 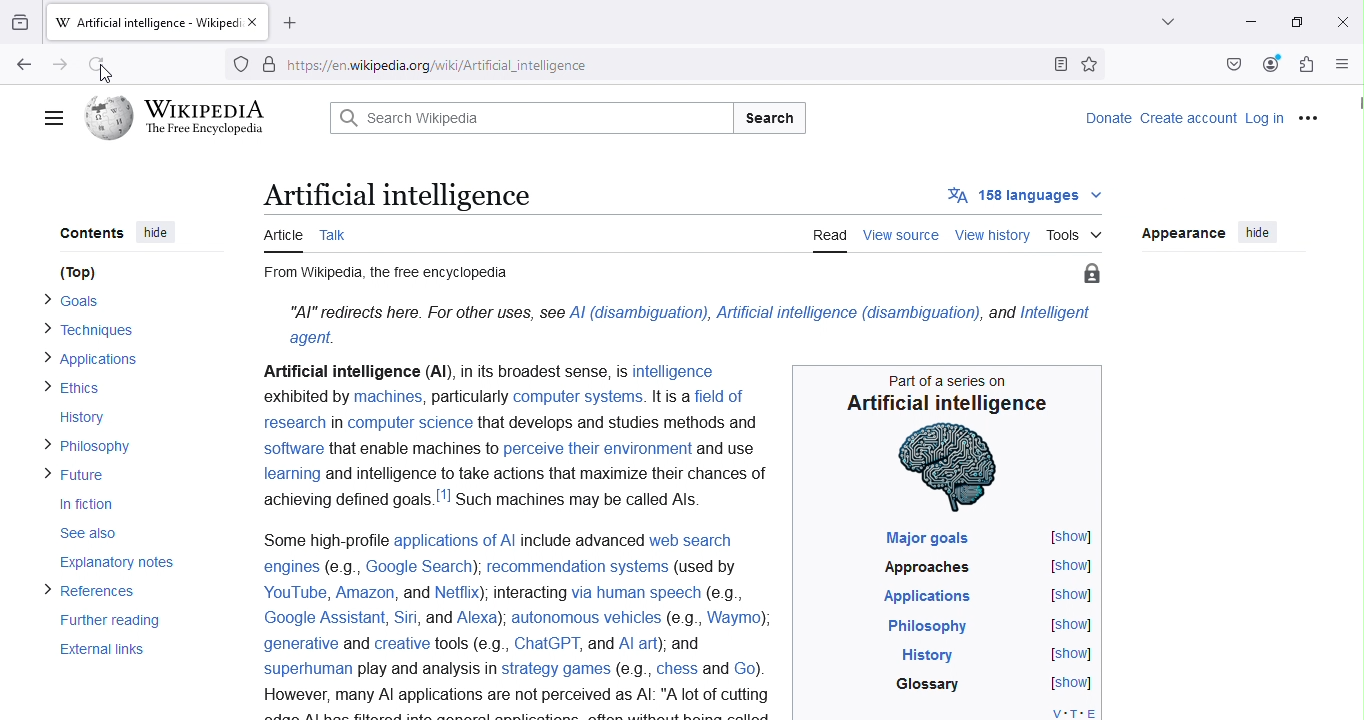 What do you see at coordinates (402, 646) in the screenshot?
I see `Creative` at bounding box center [402, 646].